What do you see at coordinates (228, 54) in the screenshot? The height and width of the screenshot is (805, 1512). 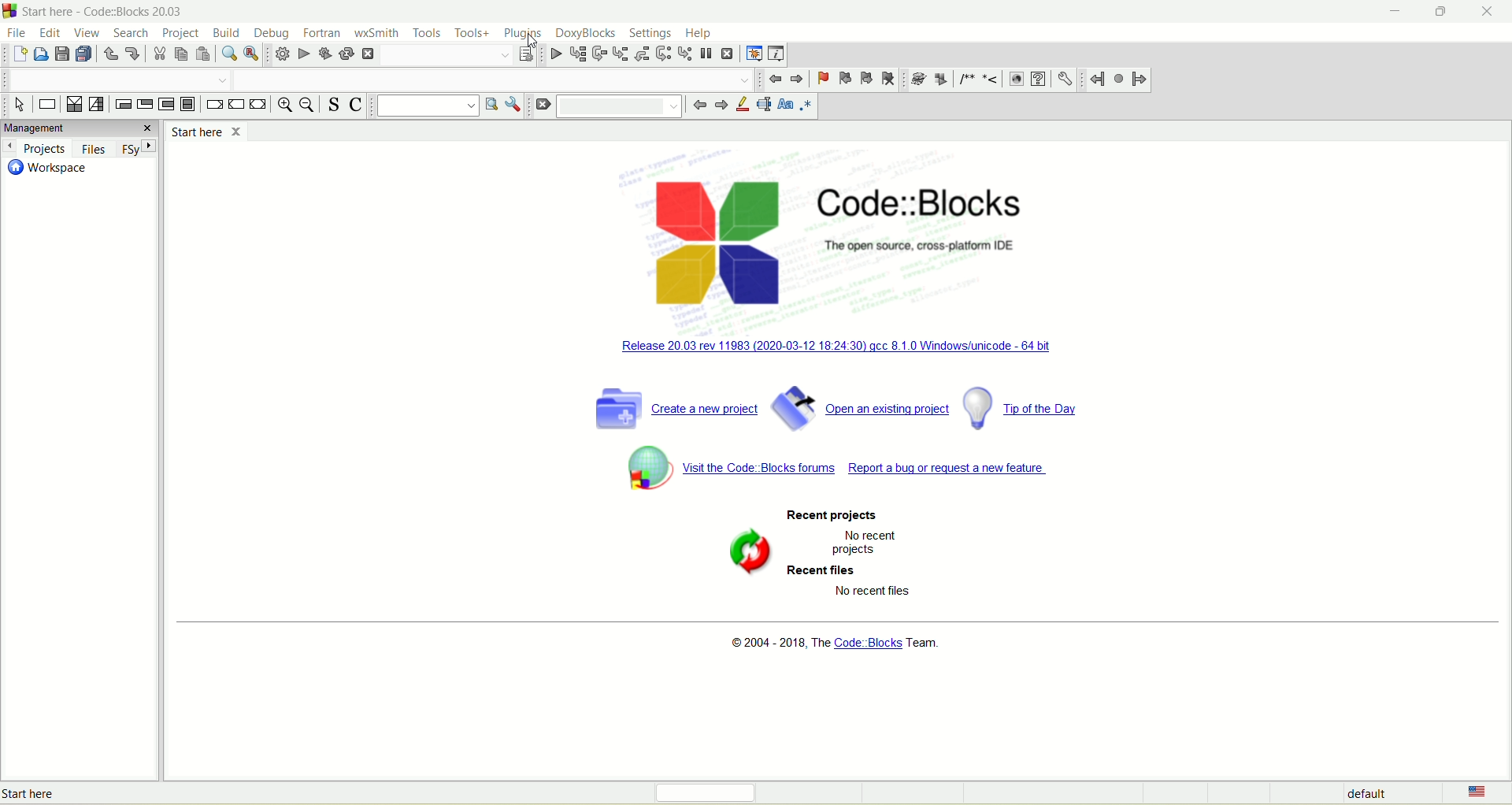 I see `find` at bounding box center [228, 54].